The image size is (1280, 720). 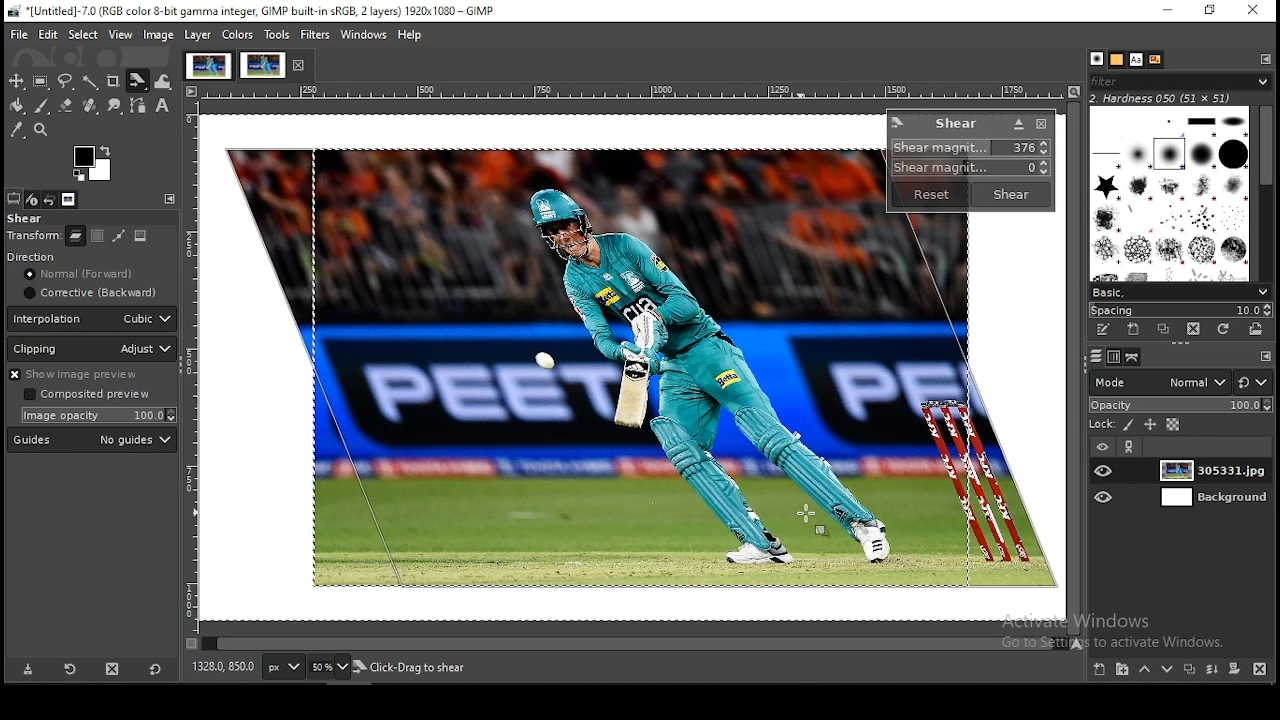 What do you see at coordinates (32, 200) in the screenshot?
I see `device status` at bounding box center [32, 200].